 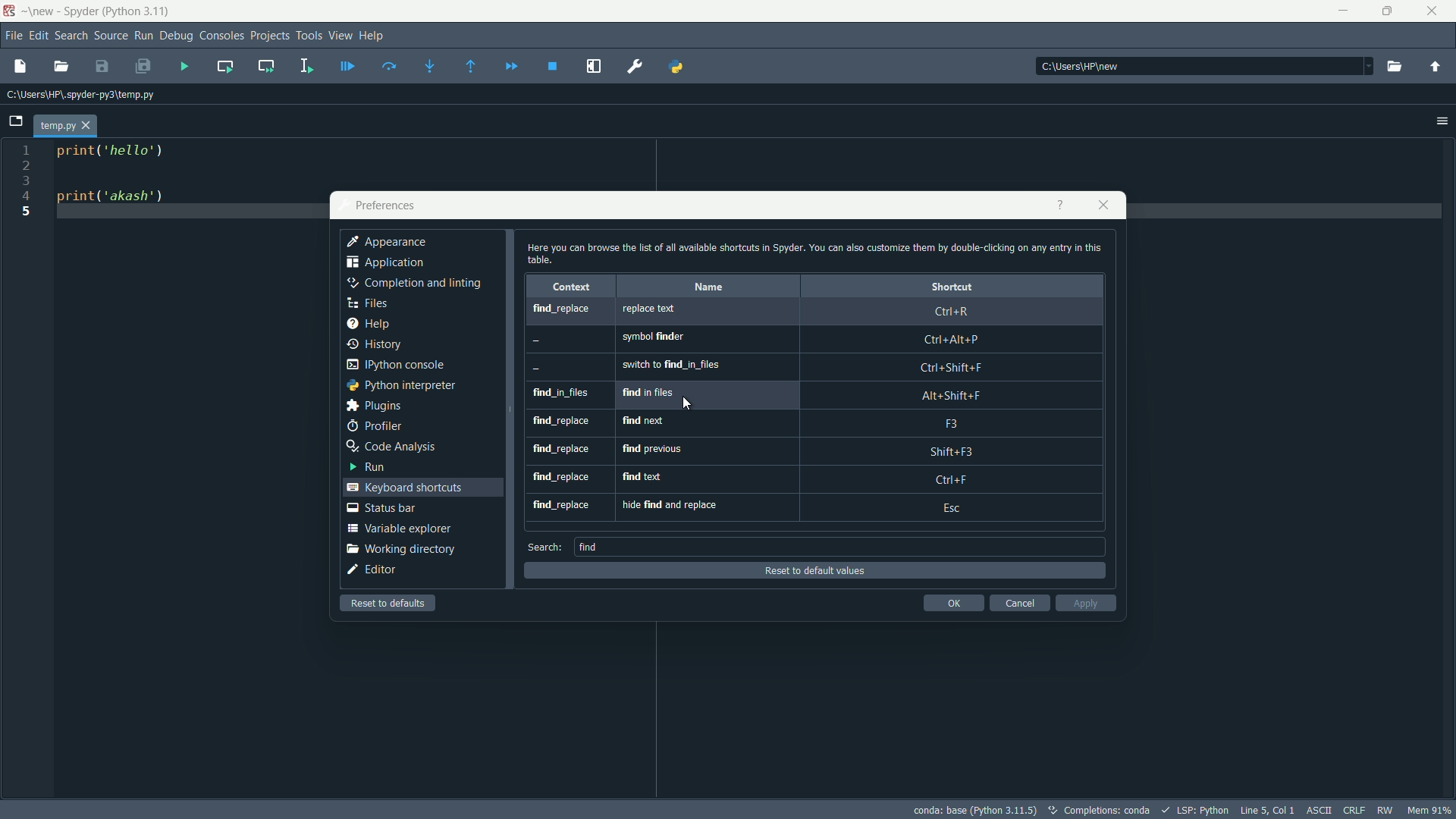 I want to click on maximize current pane, so click(x=595, y=67).